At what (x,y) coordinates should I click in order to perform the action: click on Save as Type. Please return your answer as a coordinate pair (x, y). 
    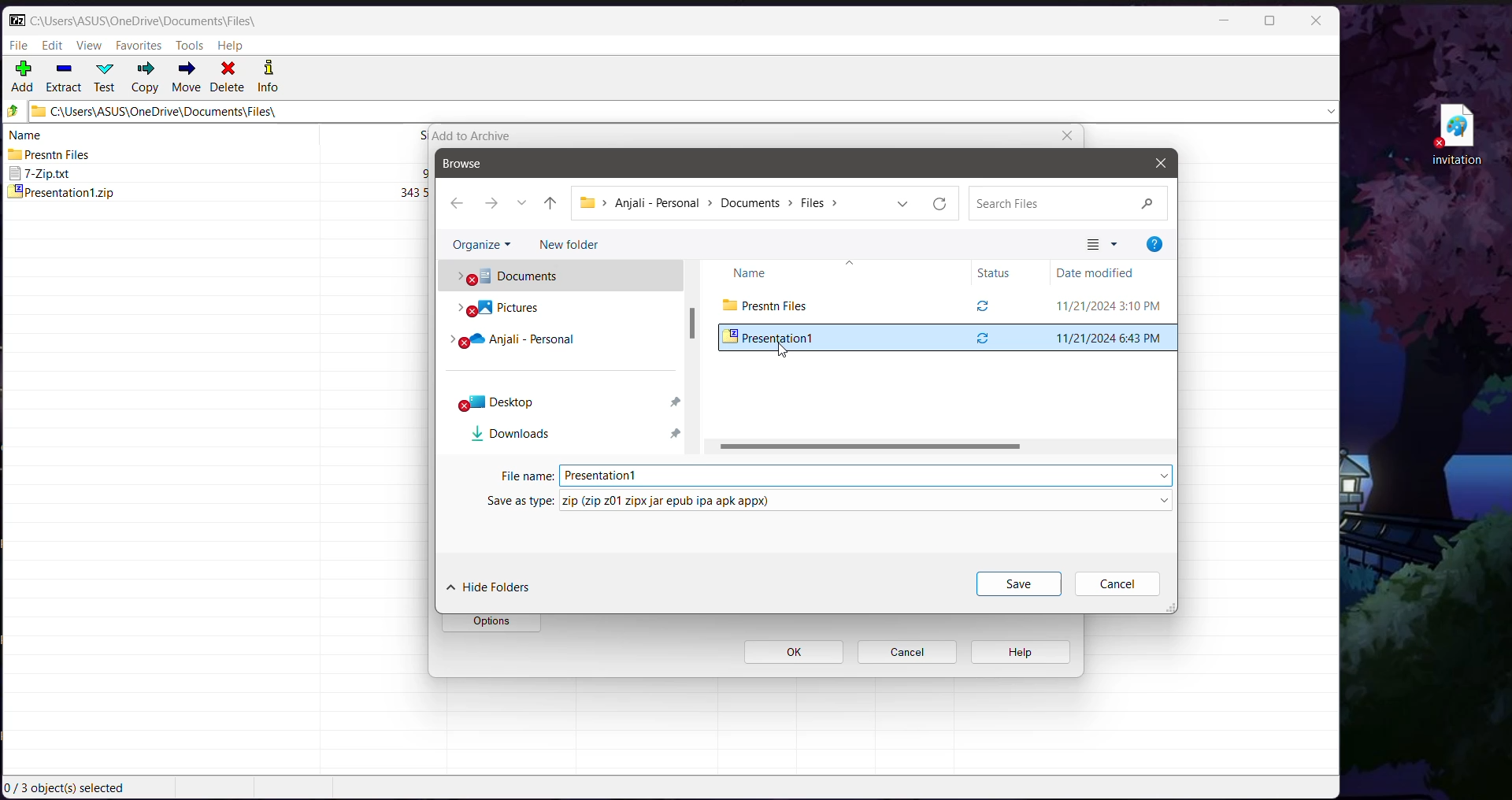
    Looking at the image, I should click on (513, 500).